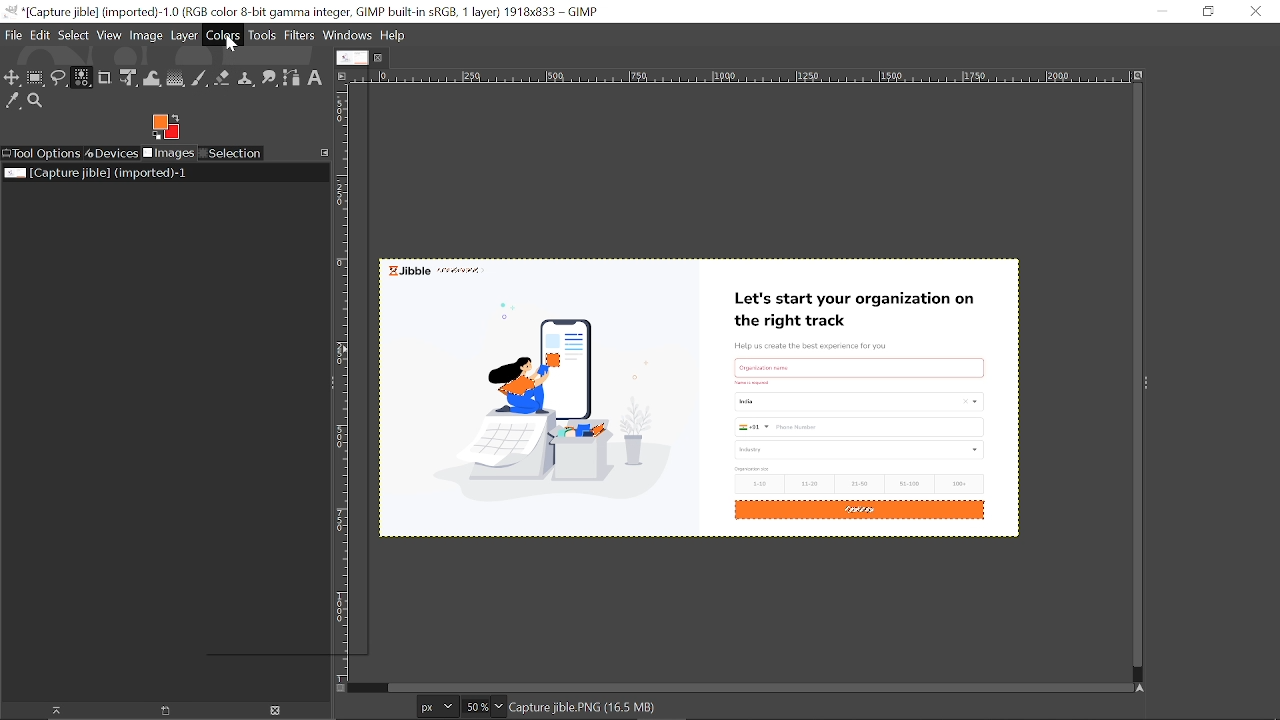 The width and height of the screenshot is (1280, 720). I want to click on Fore ground tool, so click(164, 126).